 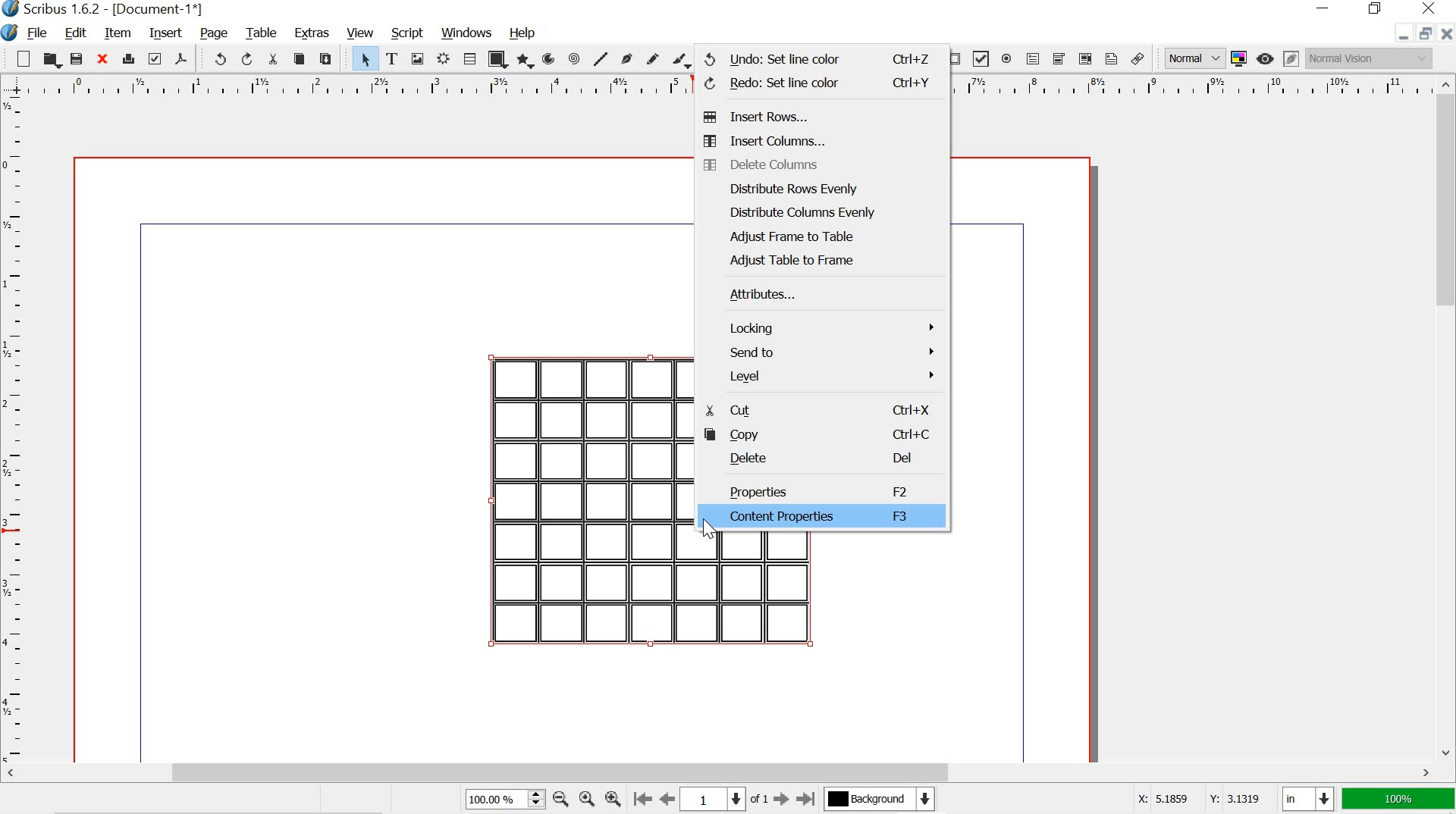 I want to click on edit, so click(x=77, y=33).